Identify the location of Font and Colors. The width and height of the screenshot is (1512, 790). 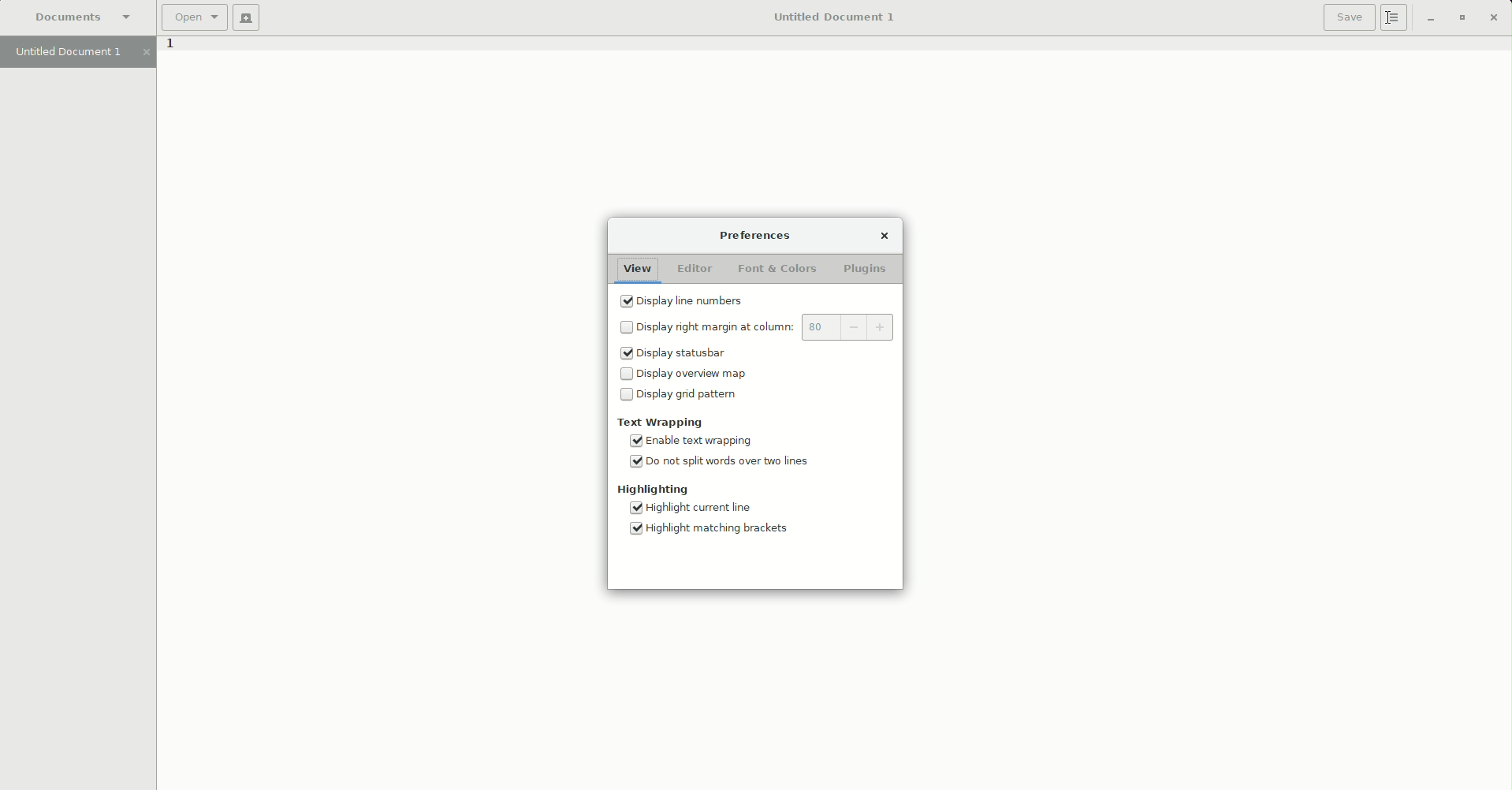
(780, 270).